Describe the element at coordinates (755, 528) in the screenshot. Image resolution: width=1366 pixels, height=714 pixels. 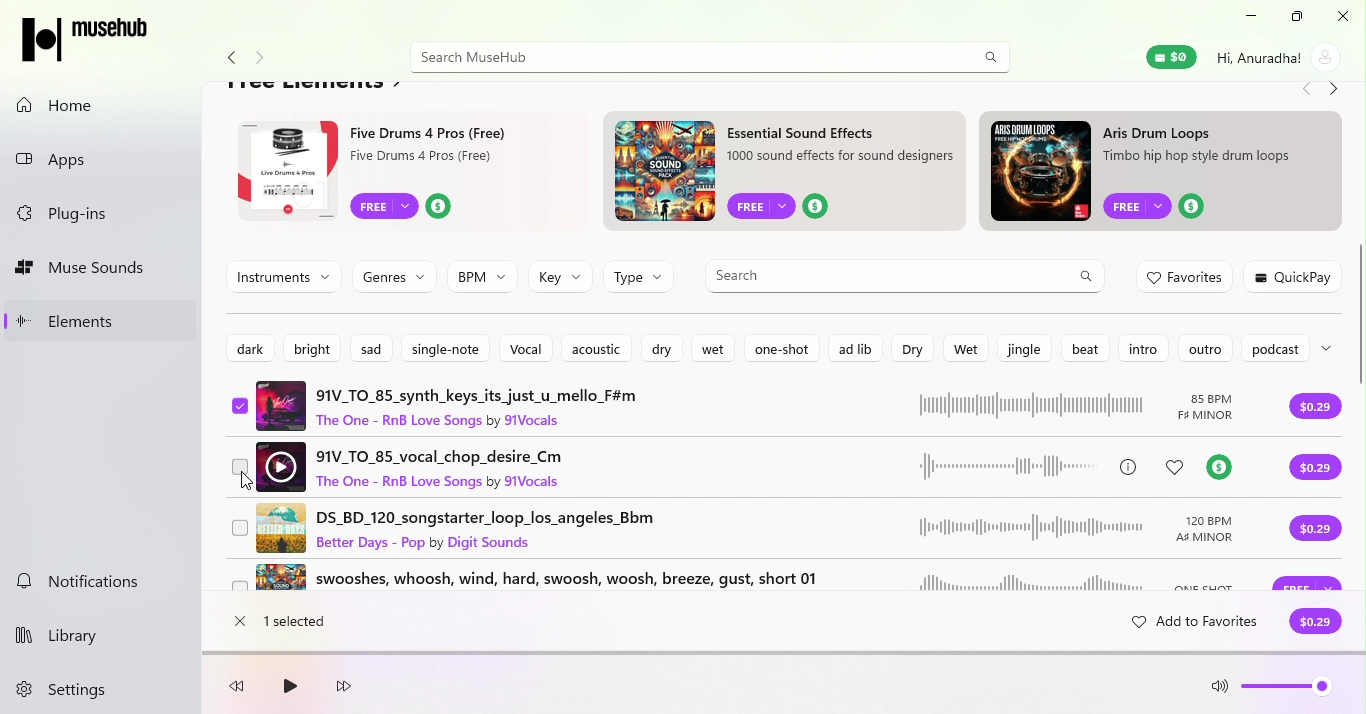
I see `DS_BD_120_songstarter_loop_los_angeles_bbm` at that location.